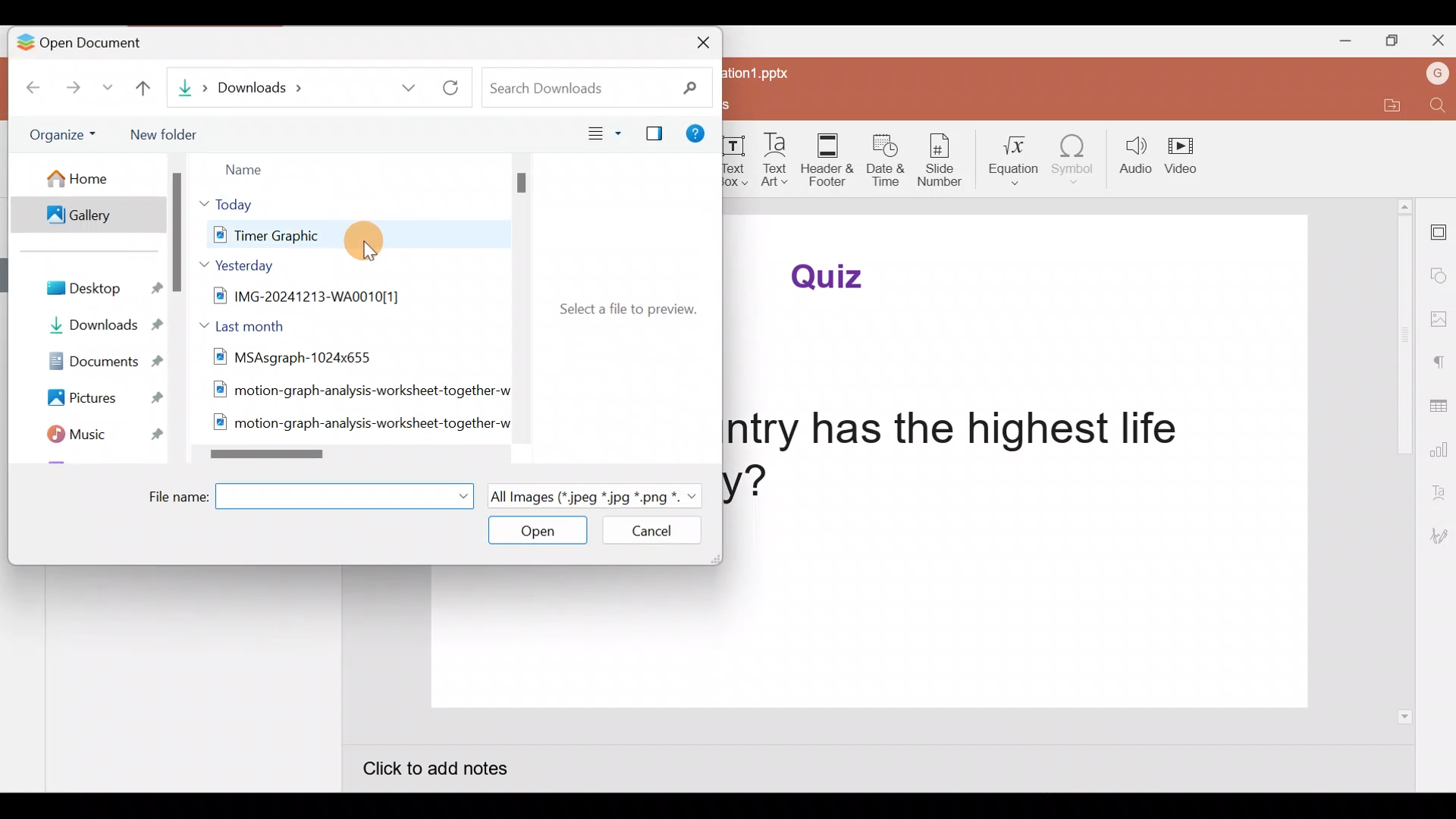 This screenshot has height=819, width=1456. What do you see at coordinates (370, 240) in the screenshot?
I see `Cursor on image 1` at bounding box center [370, 240].